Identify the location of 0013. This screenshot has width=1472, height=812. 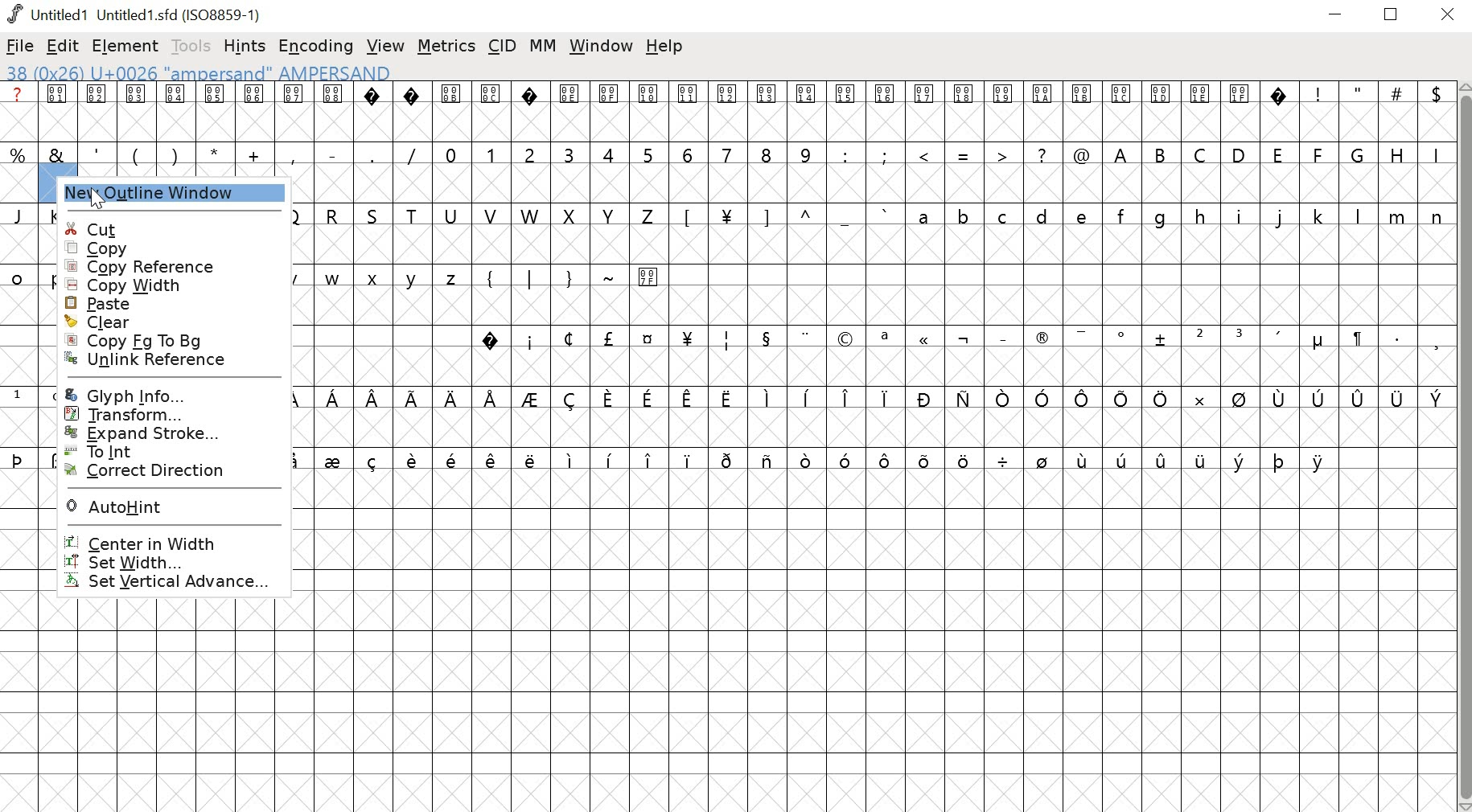
(769, 112).